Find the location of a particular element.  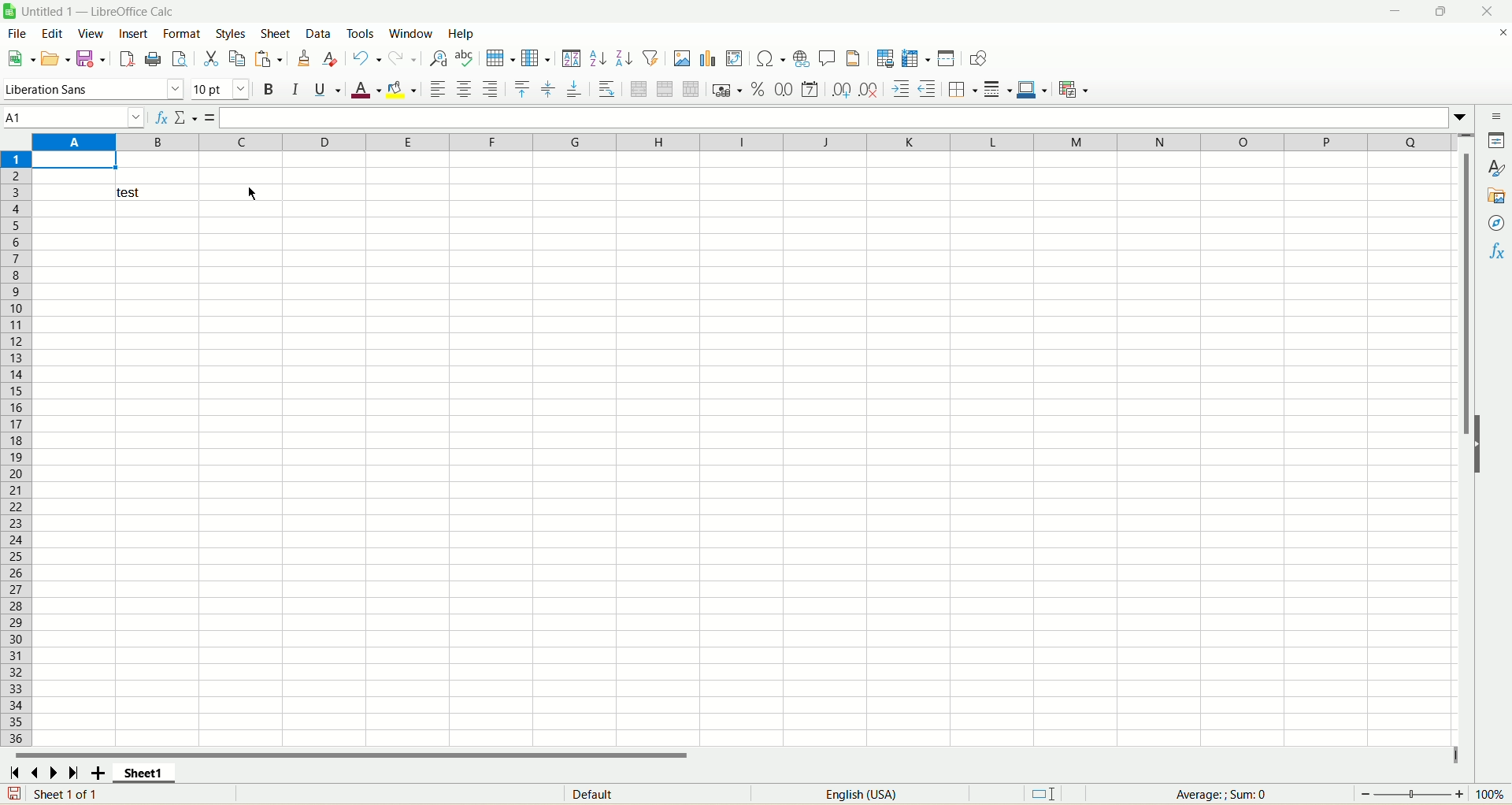

merge and center is located at coordinates (639, 89).